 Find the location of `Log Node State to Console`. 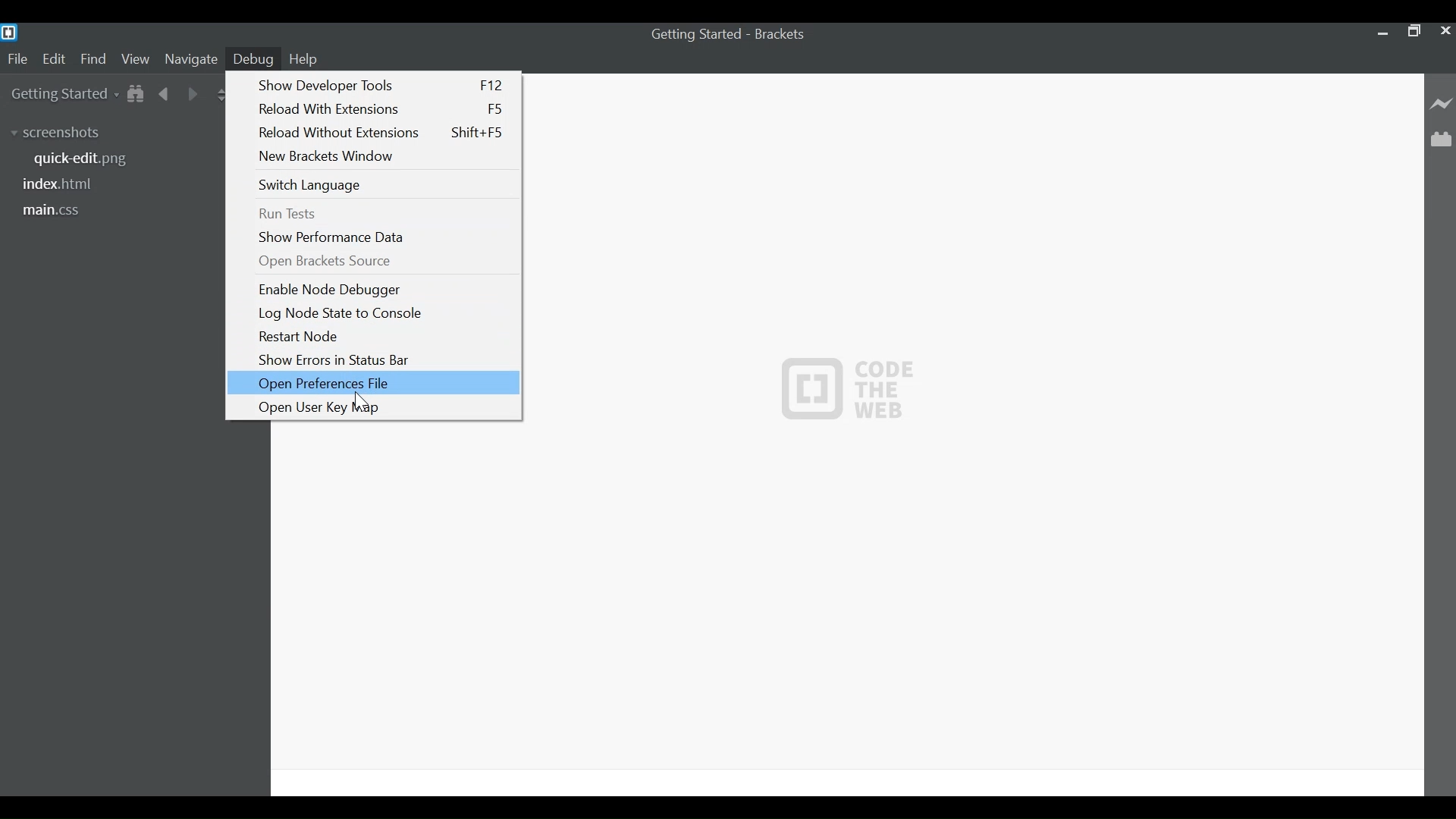

Log Node State to Console is located at coordinates (347, 313).